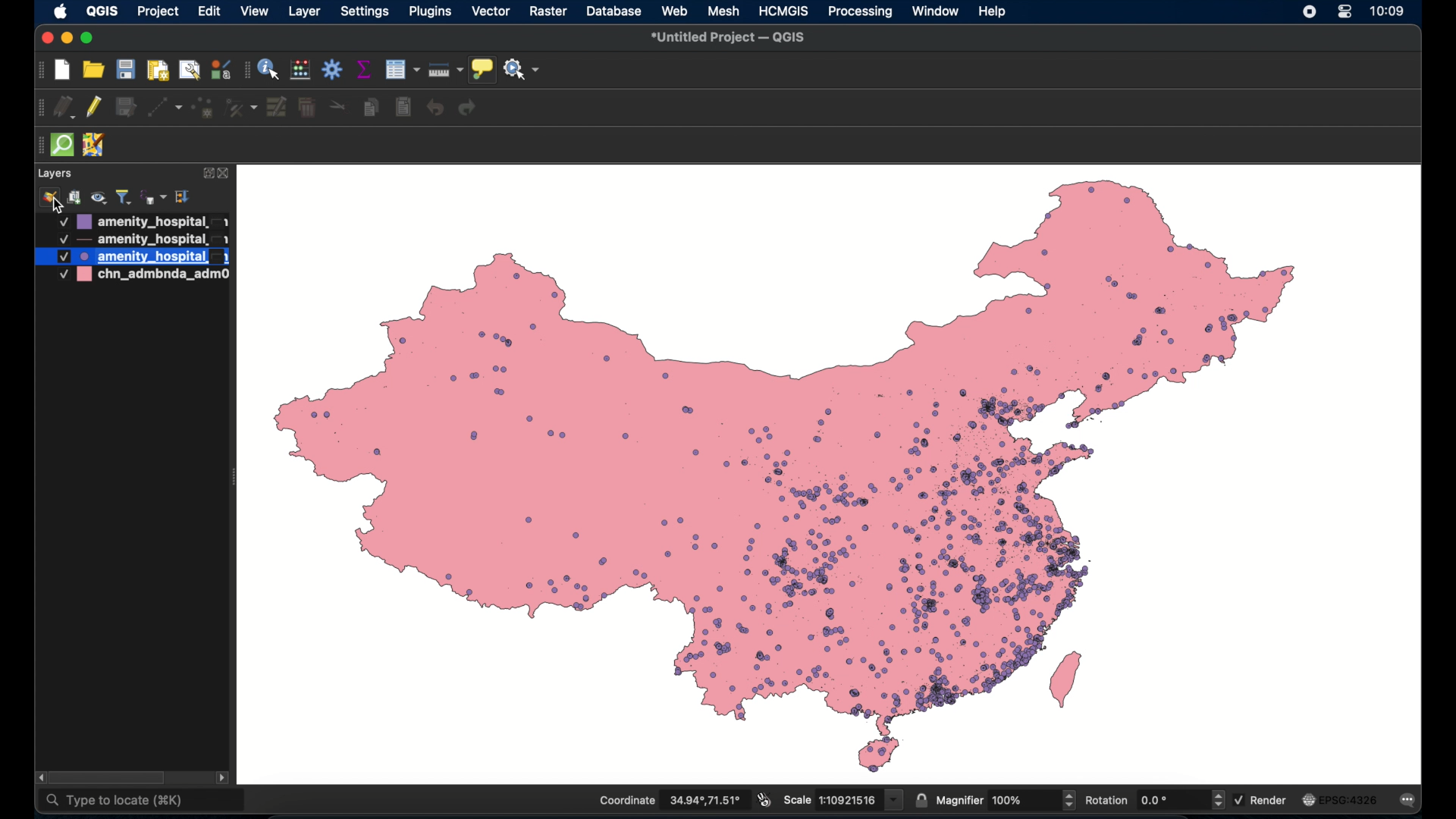 This screenshot has width=1456, height=819. I want to click on control center, so click(1346, 12).